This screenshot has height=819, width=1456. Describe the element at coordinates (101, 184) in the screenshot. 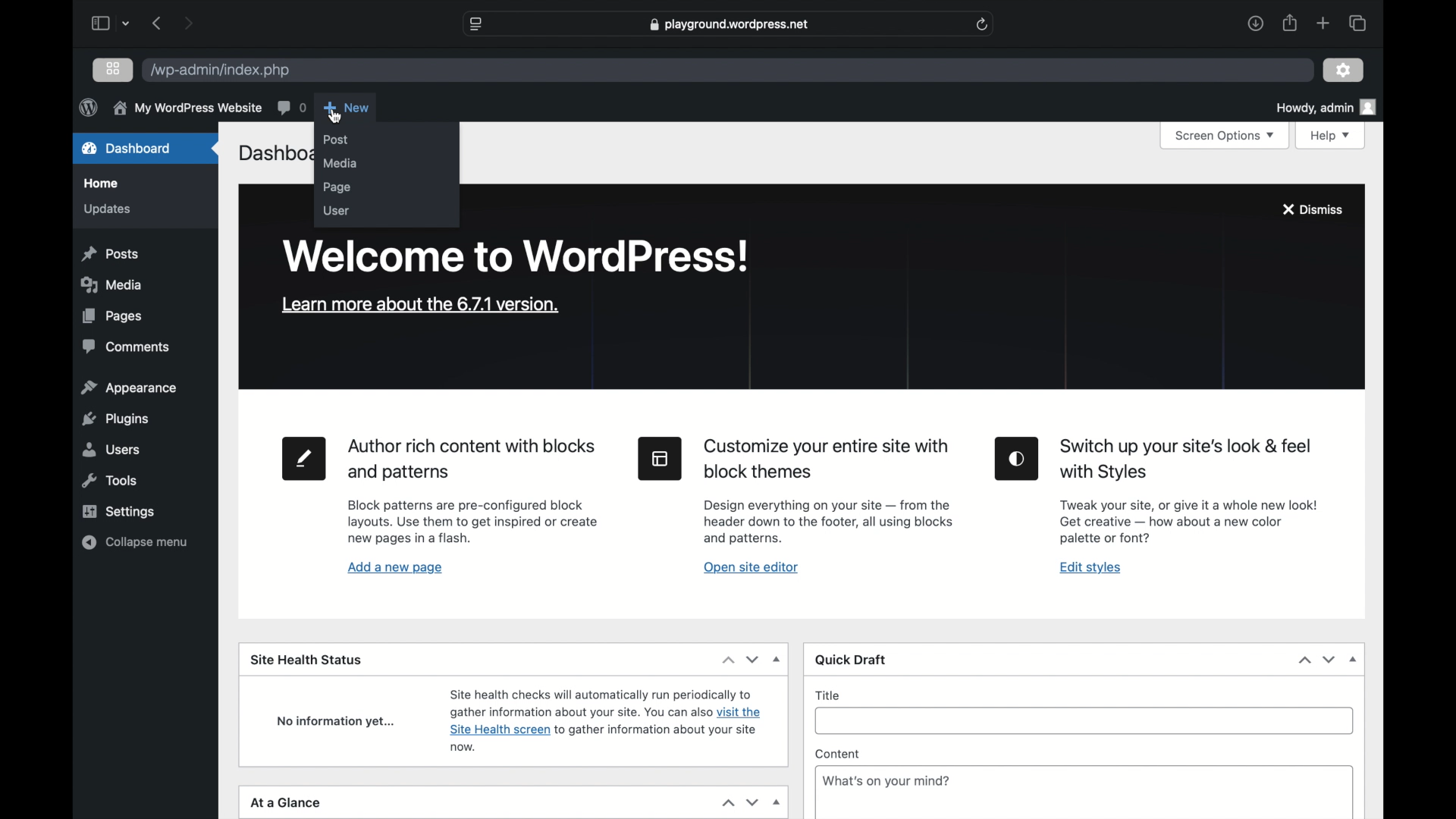

I see `home` at that location.